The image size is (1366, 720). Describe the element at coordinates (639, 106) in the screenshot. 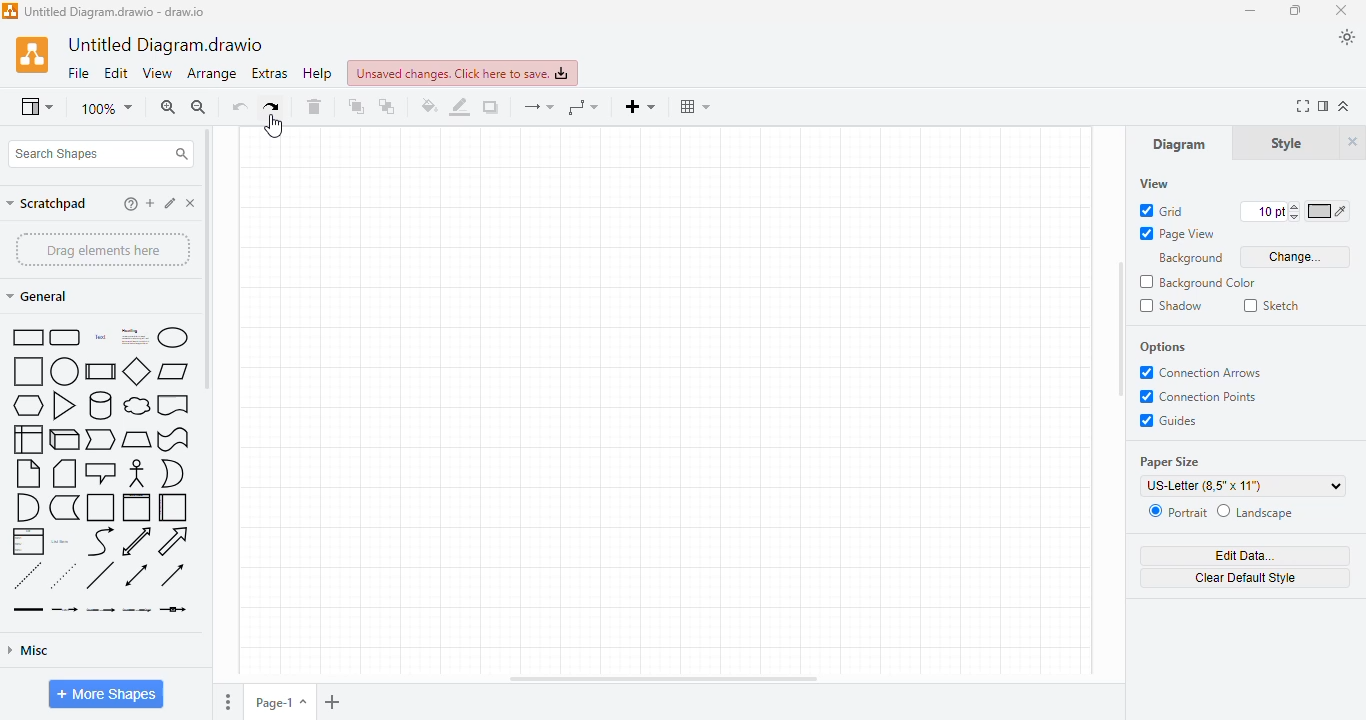

I see `insert` at that location.